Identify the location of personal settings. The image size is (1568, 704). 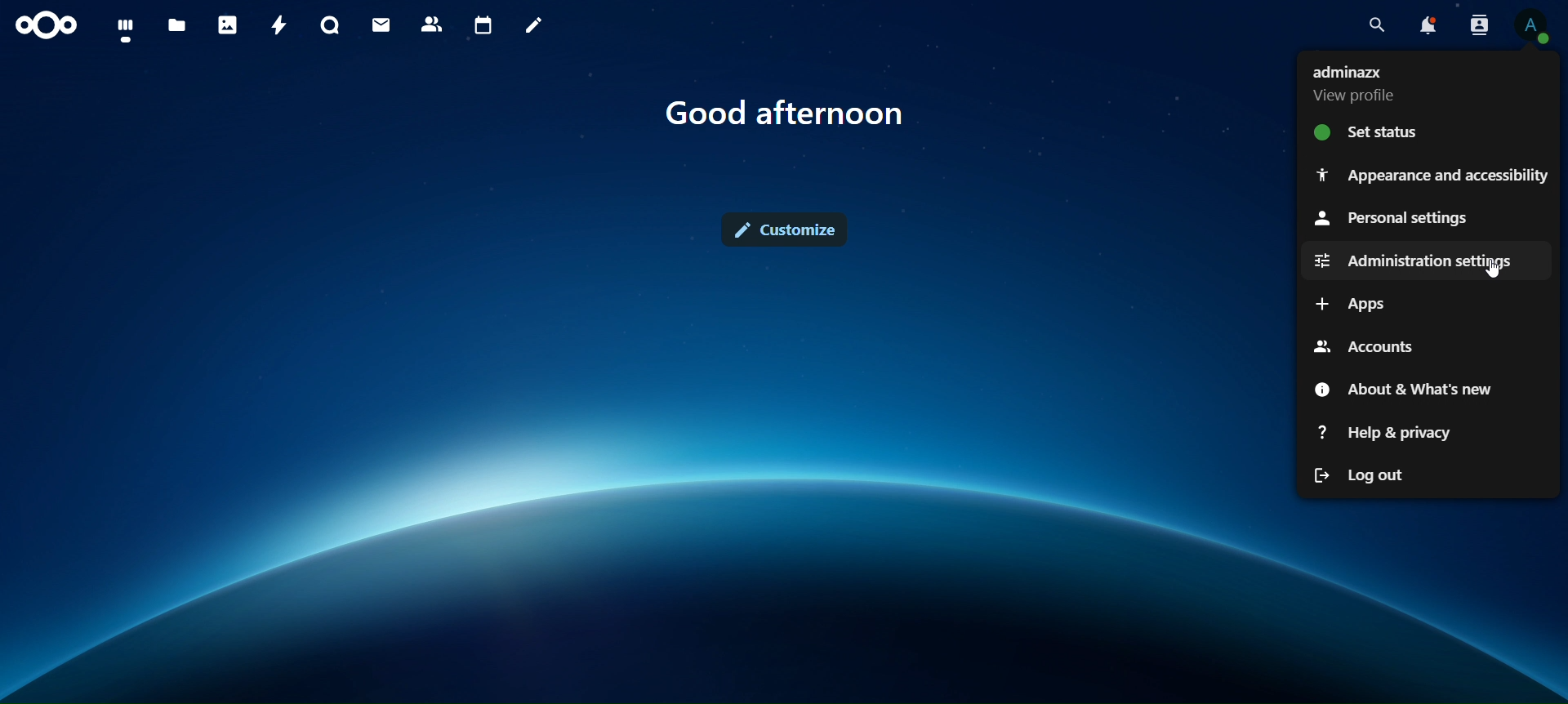
(1396, 218).